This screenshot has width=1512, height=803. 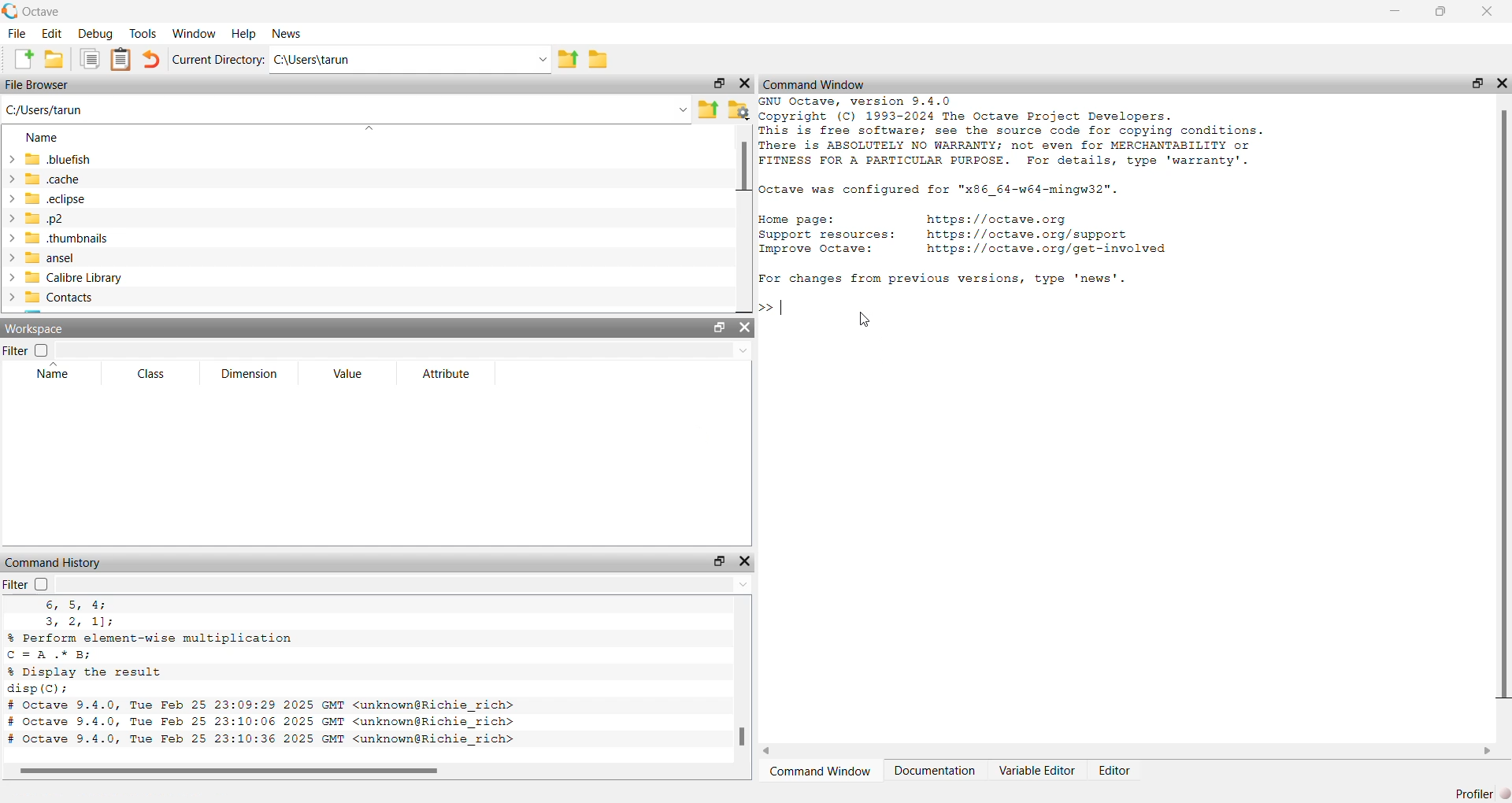 I want to click on ansel, so click(x=40, y=258).